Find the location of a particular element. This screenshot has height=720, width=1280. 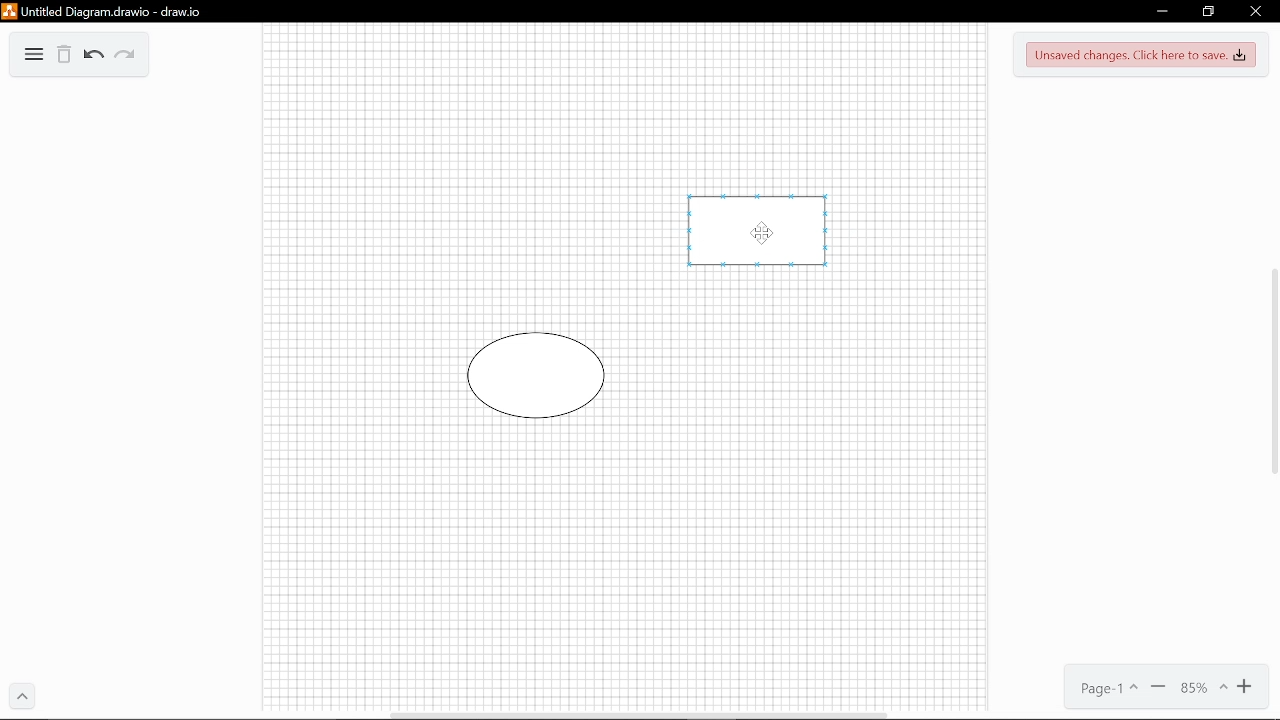

Undo is located at coordinates (92, 56).